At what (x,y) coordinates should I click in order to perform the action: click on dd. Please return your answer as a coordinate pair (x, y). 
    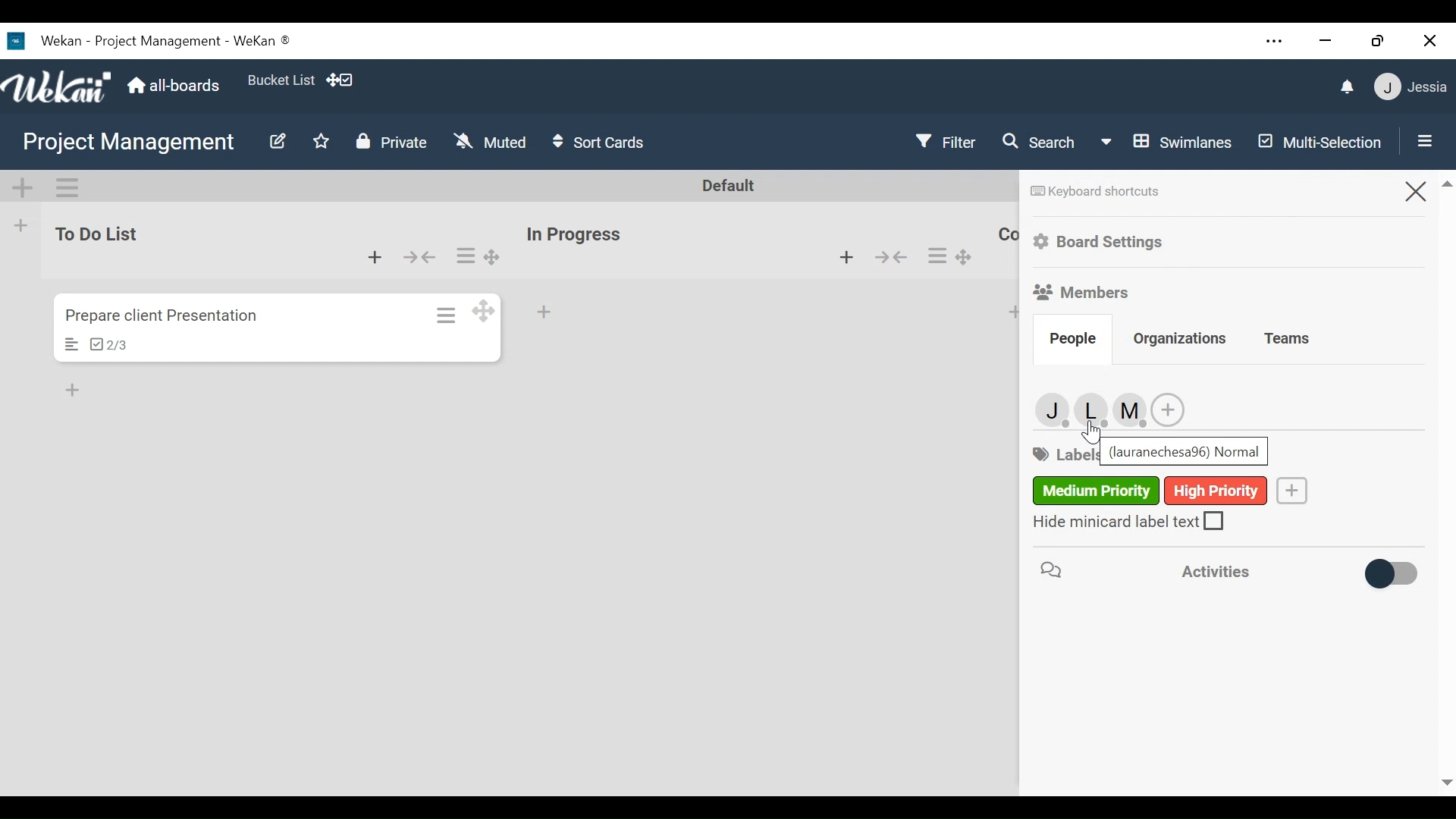
    Looking at the image, I should click on (76, 392).